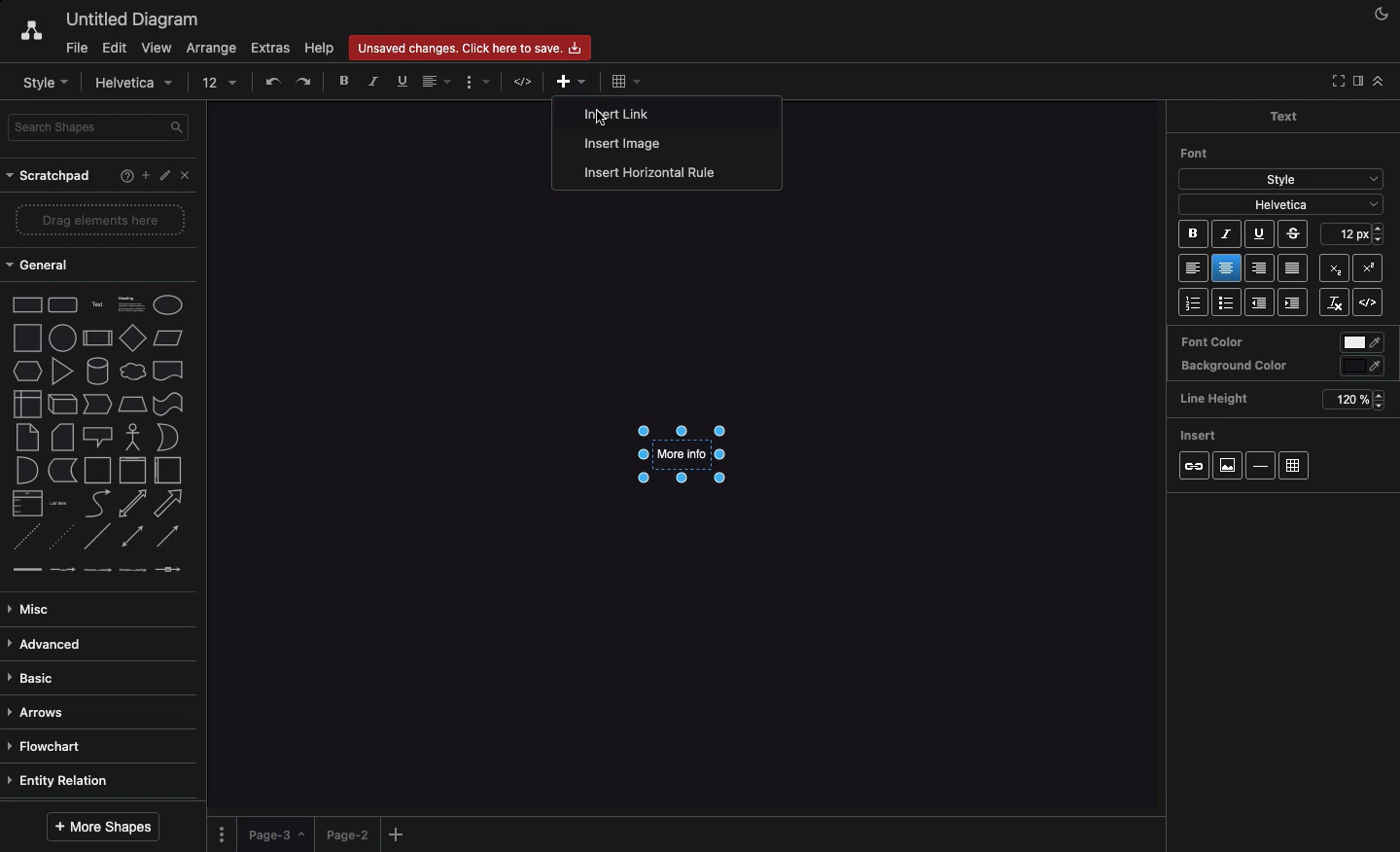 This screenshot has width=1400, height=852. What do you see at coordinates (1380, 15) in the screenshot?
I see `Night mode on` at bounding box center [1380, 15].